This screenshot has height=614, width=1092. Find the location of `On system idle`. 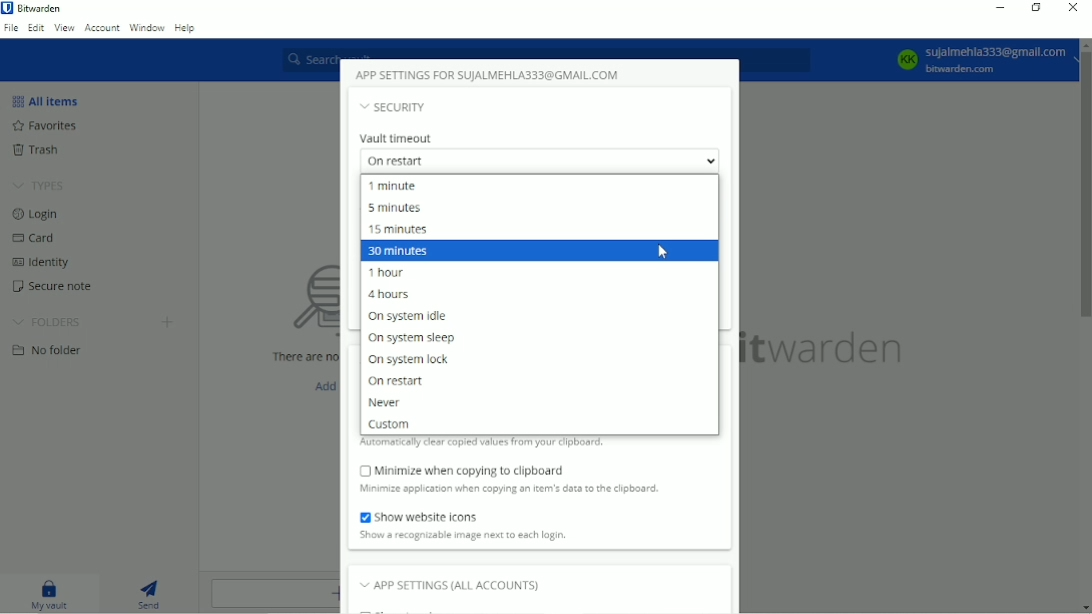

On system idle is located at coordinates (413, 316).